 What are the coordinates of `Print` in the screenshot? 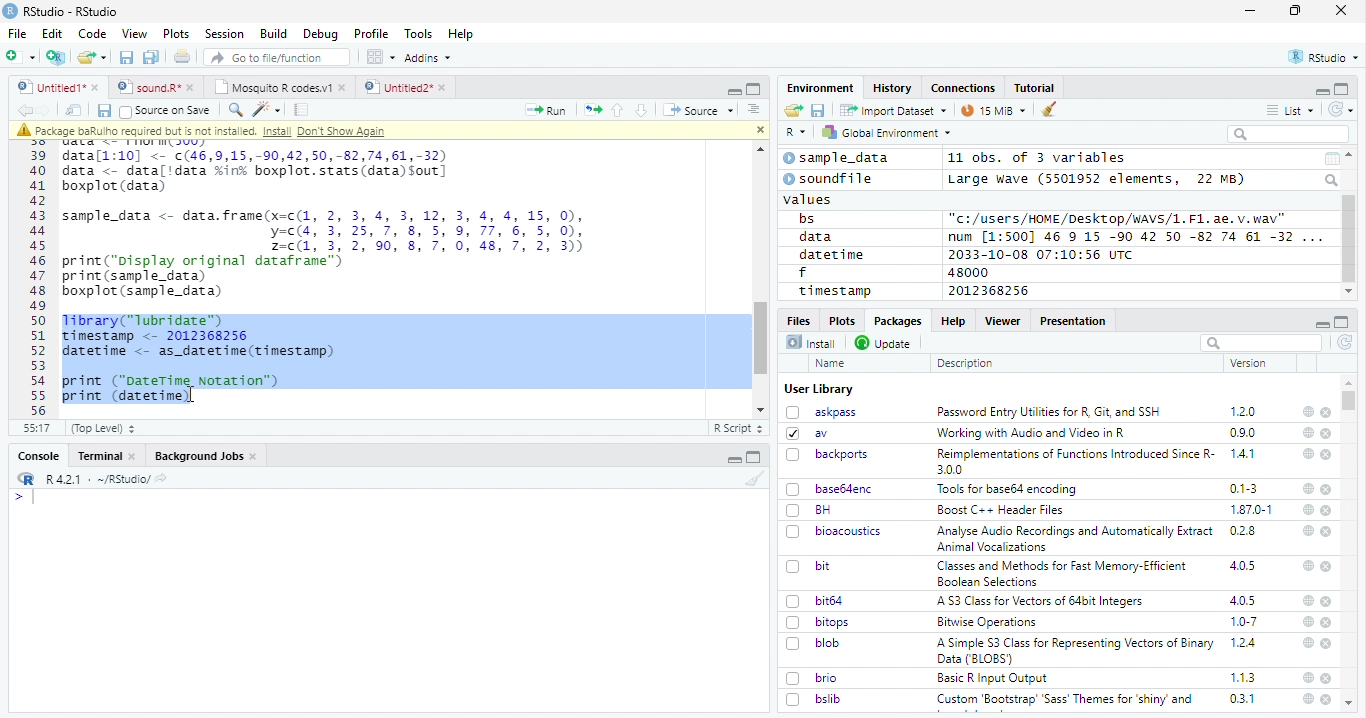 It's located at (183, 56).